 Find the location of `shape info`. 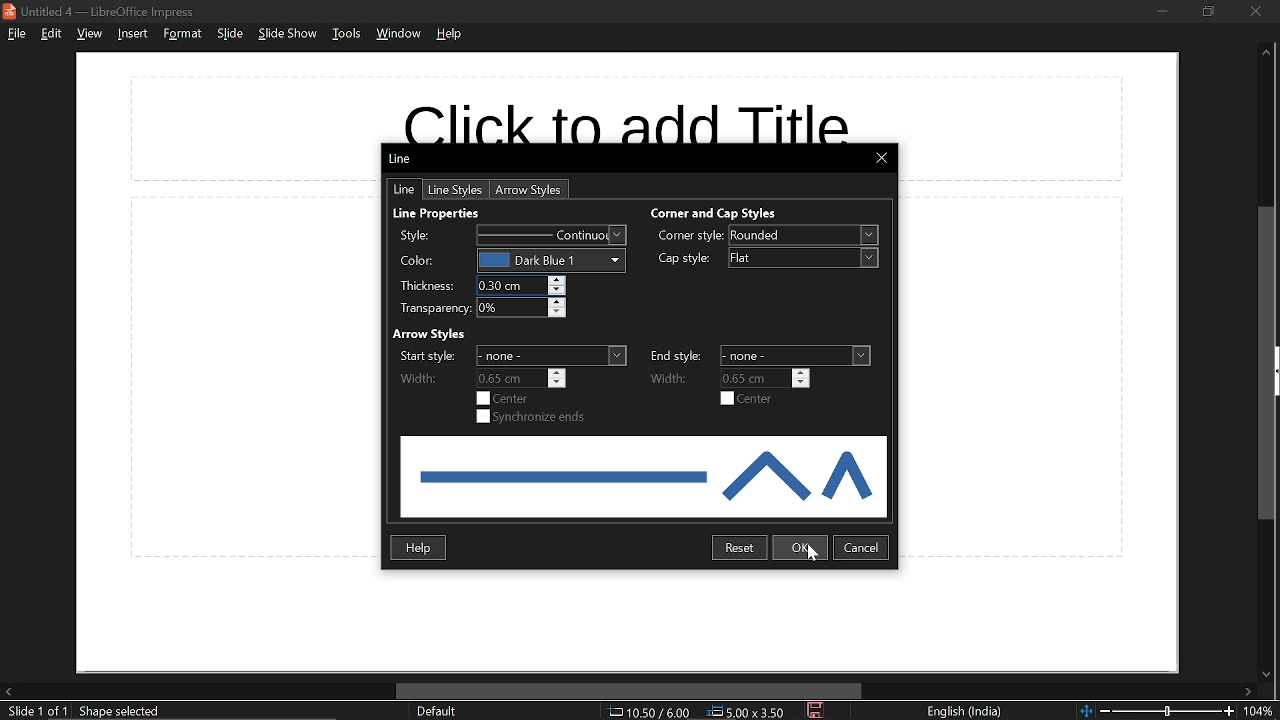

shape info is located at coordinates (122, 711).